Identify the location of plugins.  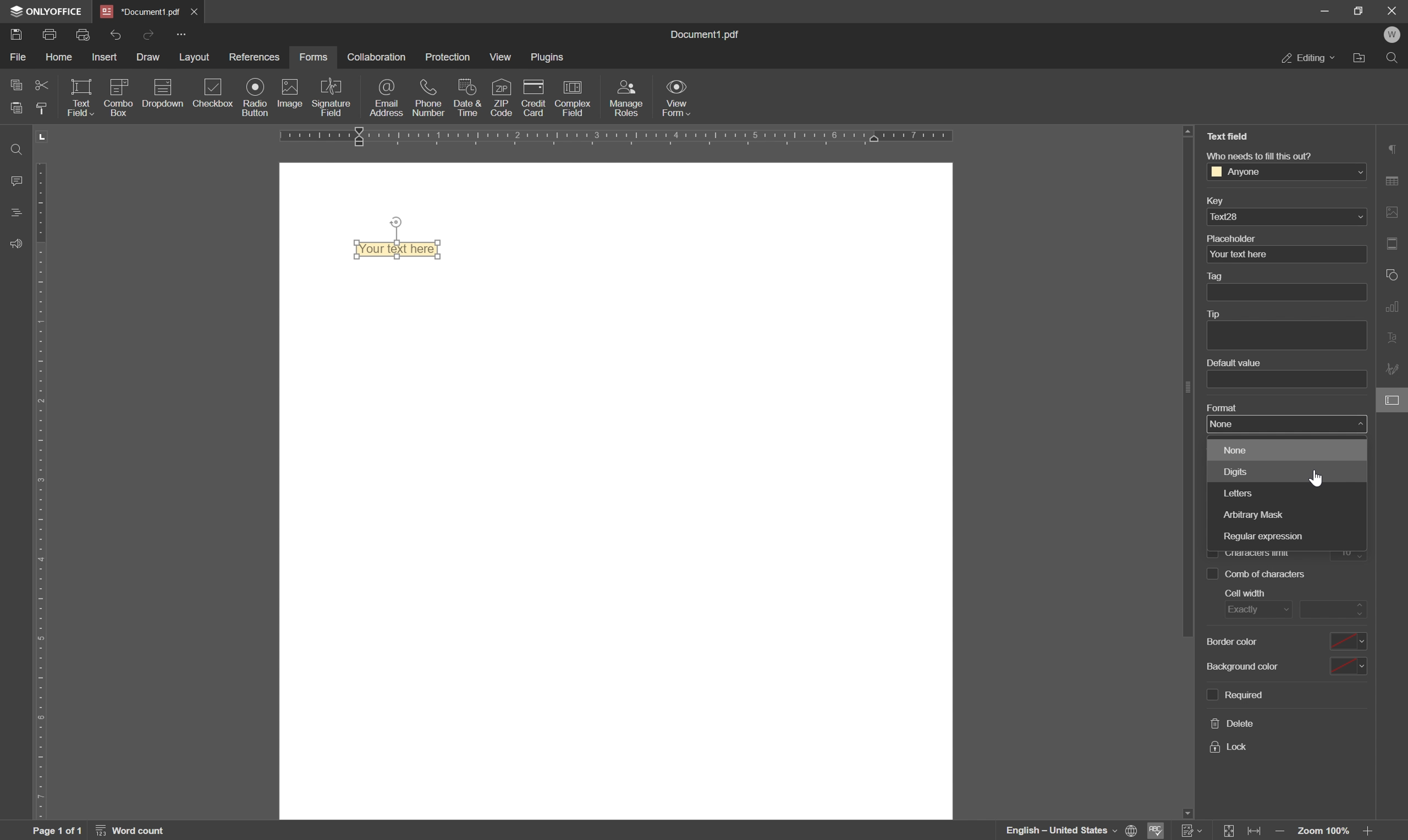
(552, 59).